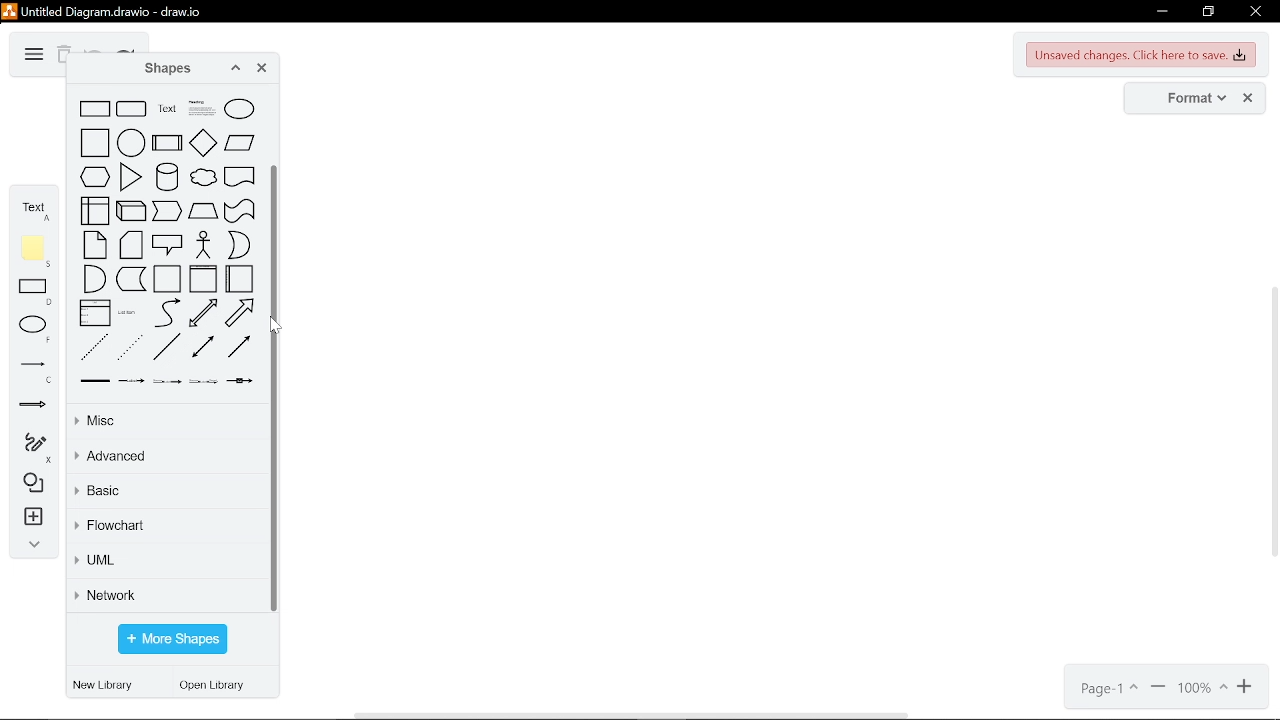 The image size is (1280, 720). Describe the element at coordinates (131, 382) in the screenshot. I see `connector with label` at that location.